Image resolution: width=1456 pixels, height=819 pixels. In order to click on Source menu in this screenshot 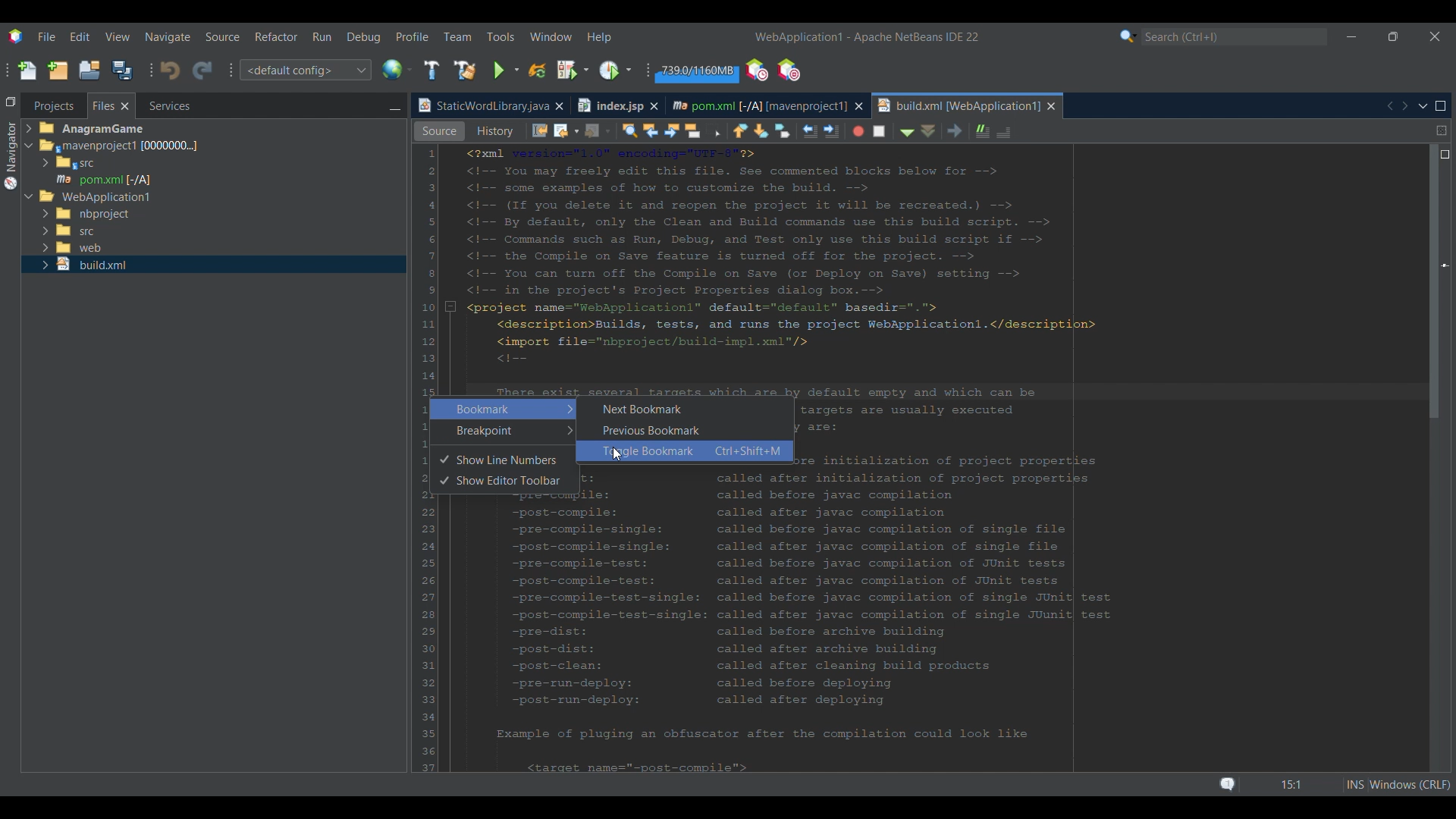, I will do `click(223, 37)`.